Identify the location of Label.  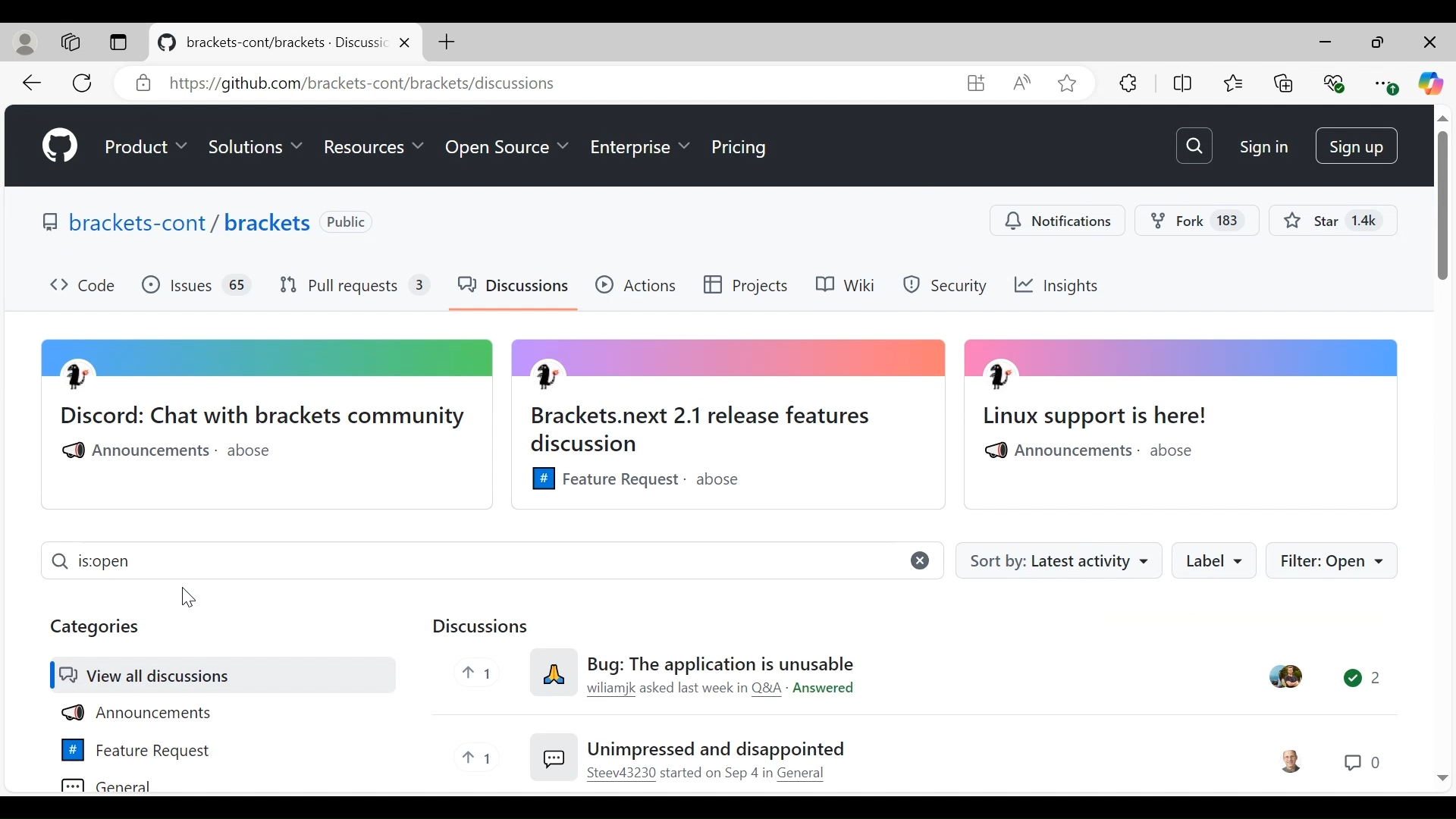
(1216, 560).